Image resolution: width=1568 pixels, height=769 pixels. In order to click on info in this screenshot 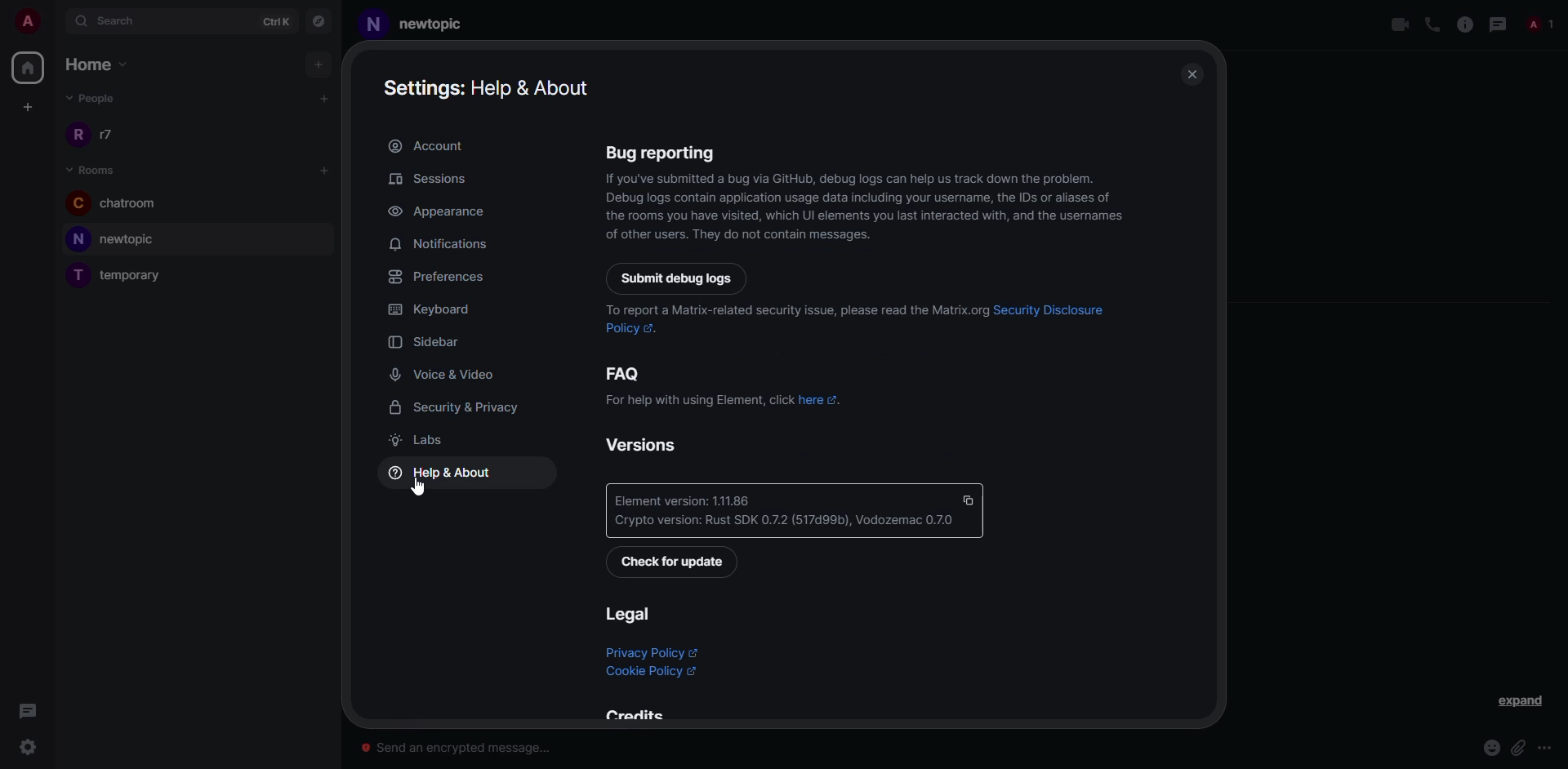, I will do `click(1465, 24)`.